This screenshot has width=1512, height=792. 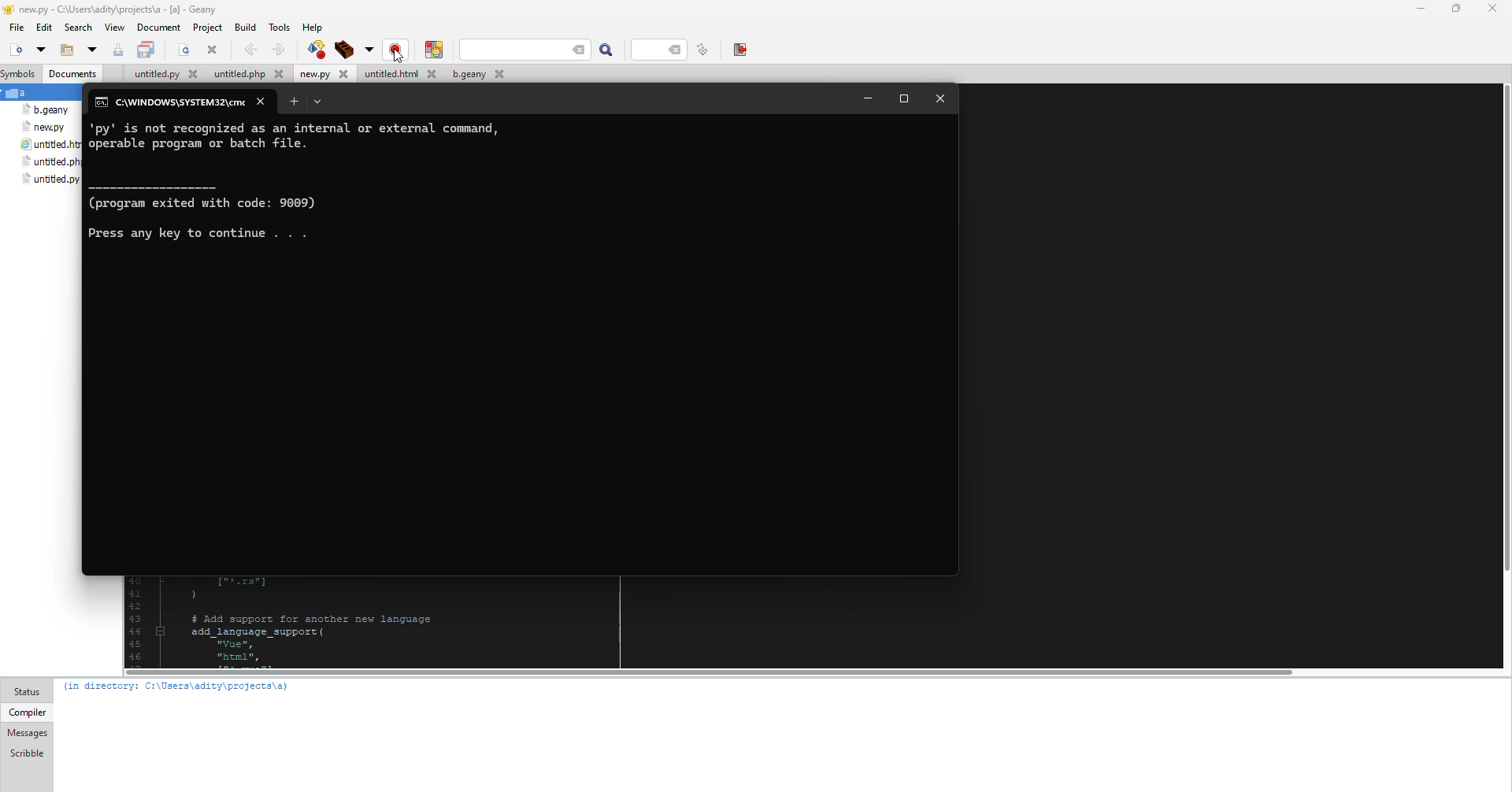 I want to click on file, so click(x=323, y=75).